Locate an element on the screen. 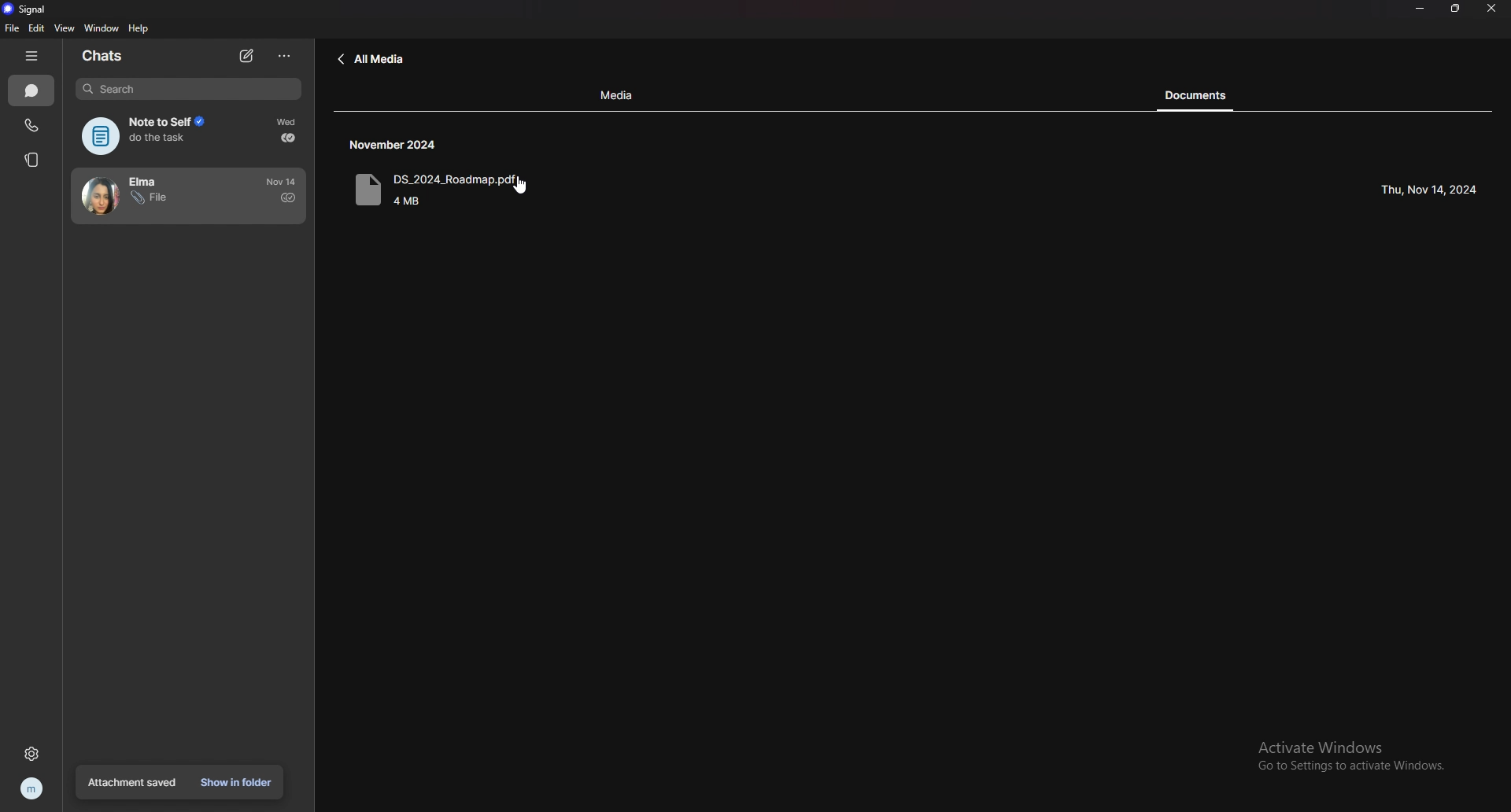  time is located at coordinates (1428, 190).